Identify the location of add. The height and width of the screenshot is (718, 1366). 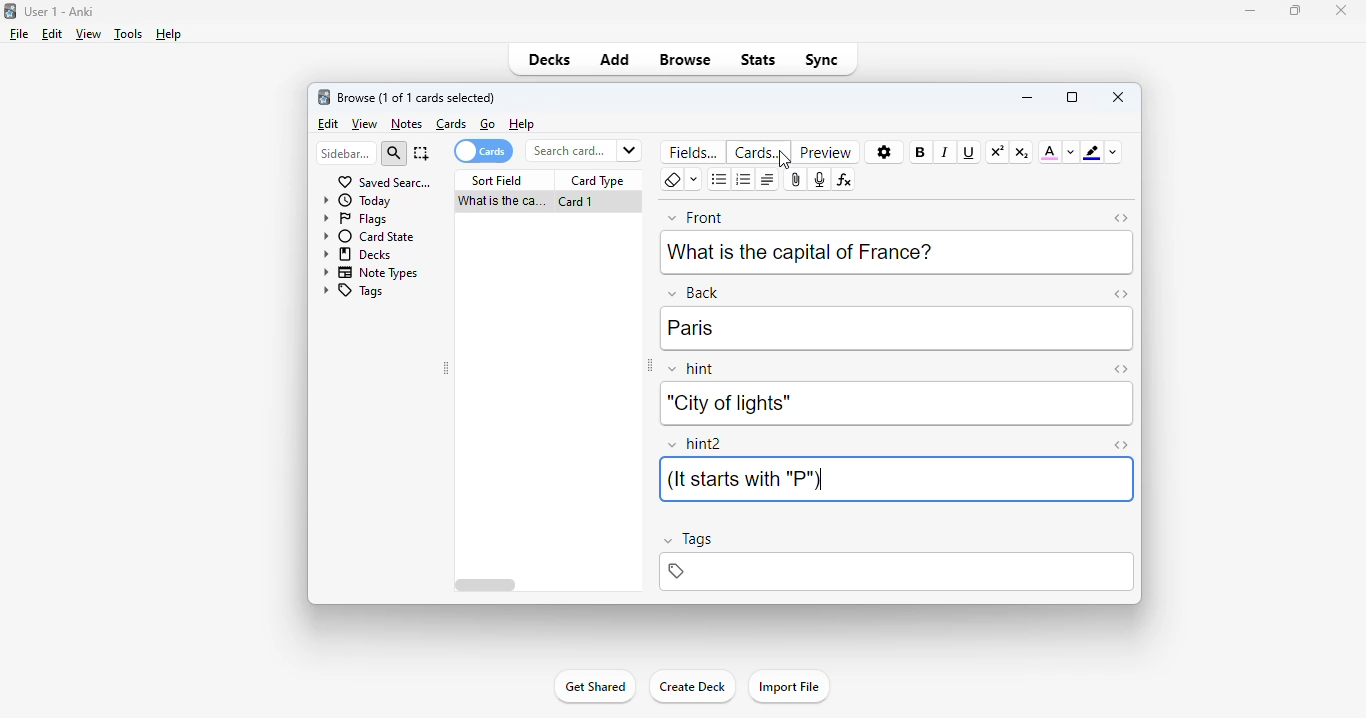
(615, 58).